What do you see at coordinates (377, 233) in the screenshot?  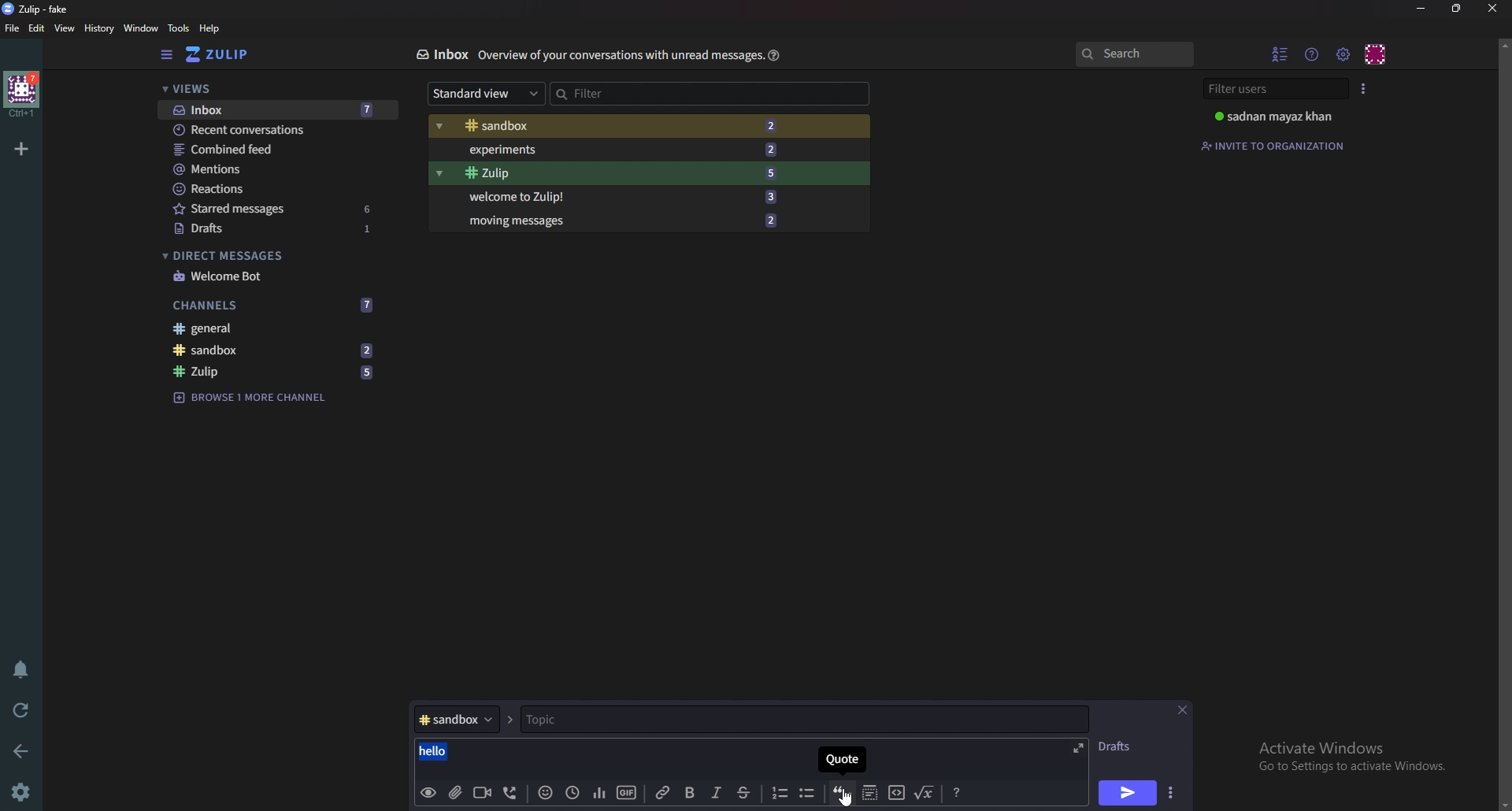 I see `1` at bounding box center [377, 233].